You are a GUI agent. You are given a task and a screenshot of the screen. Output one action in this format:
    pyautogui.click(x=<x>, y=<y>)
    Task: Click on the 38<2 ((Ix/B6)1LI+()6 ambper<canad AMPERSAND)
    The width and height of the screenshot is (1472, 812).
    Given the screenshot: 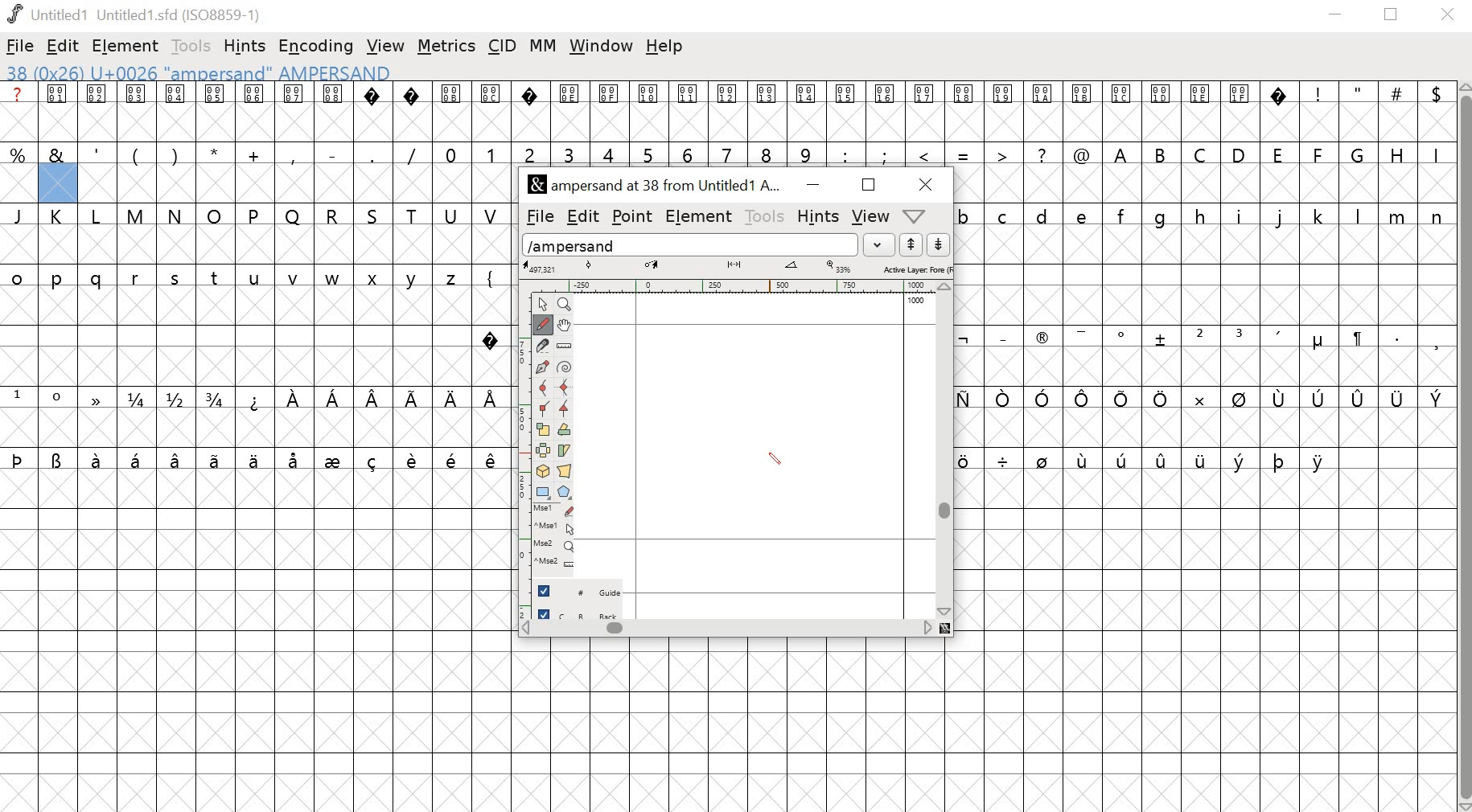 What is the action you would take?
    pyautogui.click(x=197, y=72)
    